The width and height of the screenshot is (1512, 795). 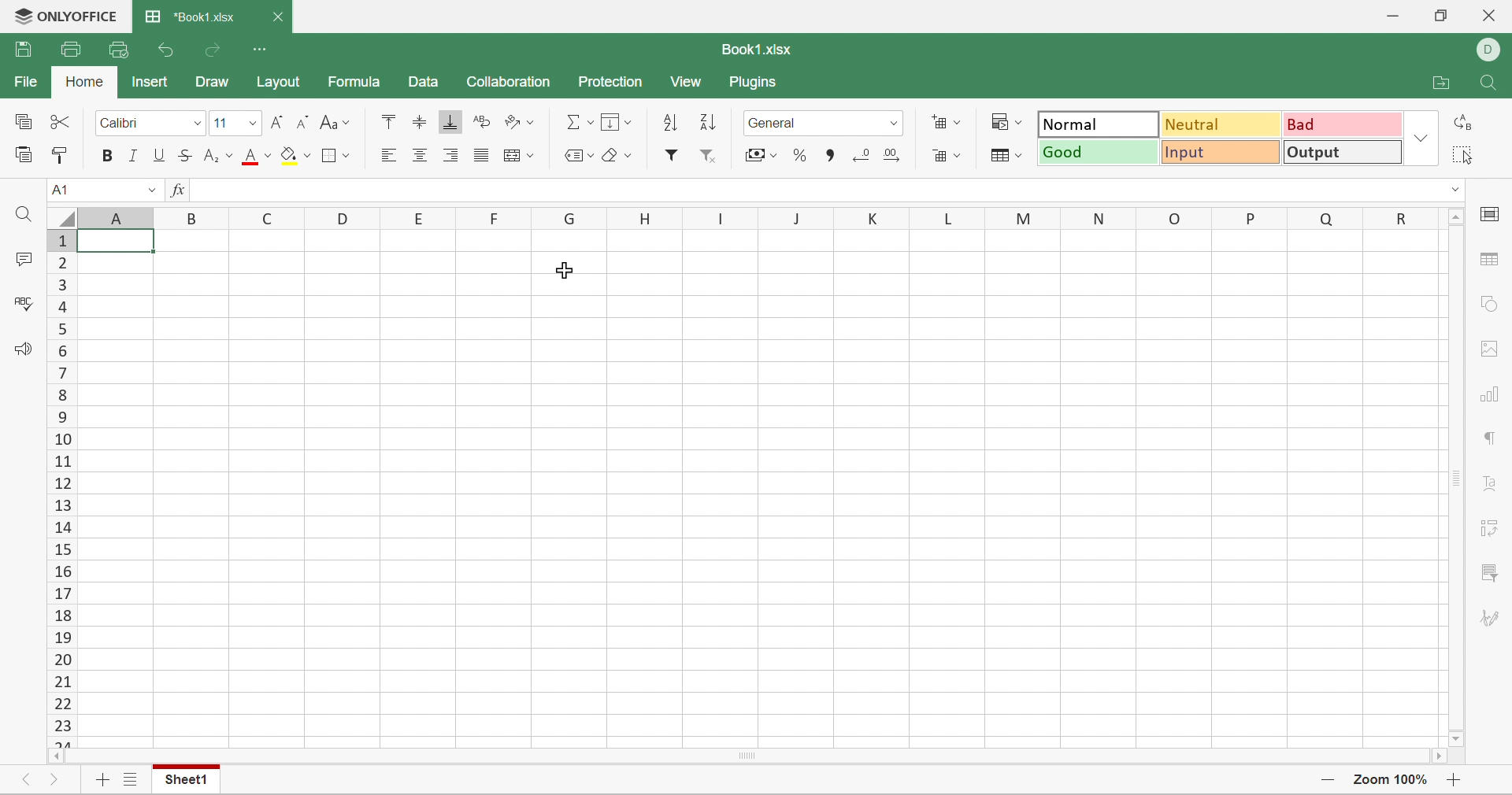 What do you see at coordinates (150, 81) in the screenshot?
I see `Insert` at bounding box center [150, 81].